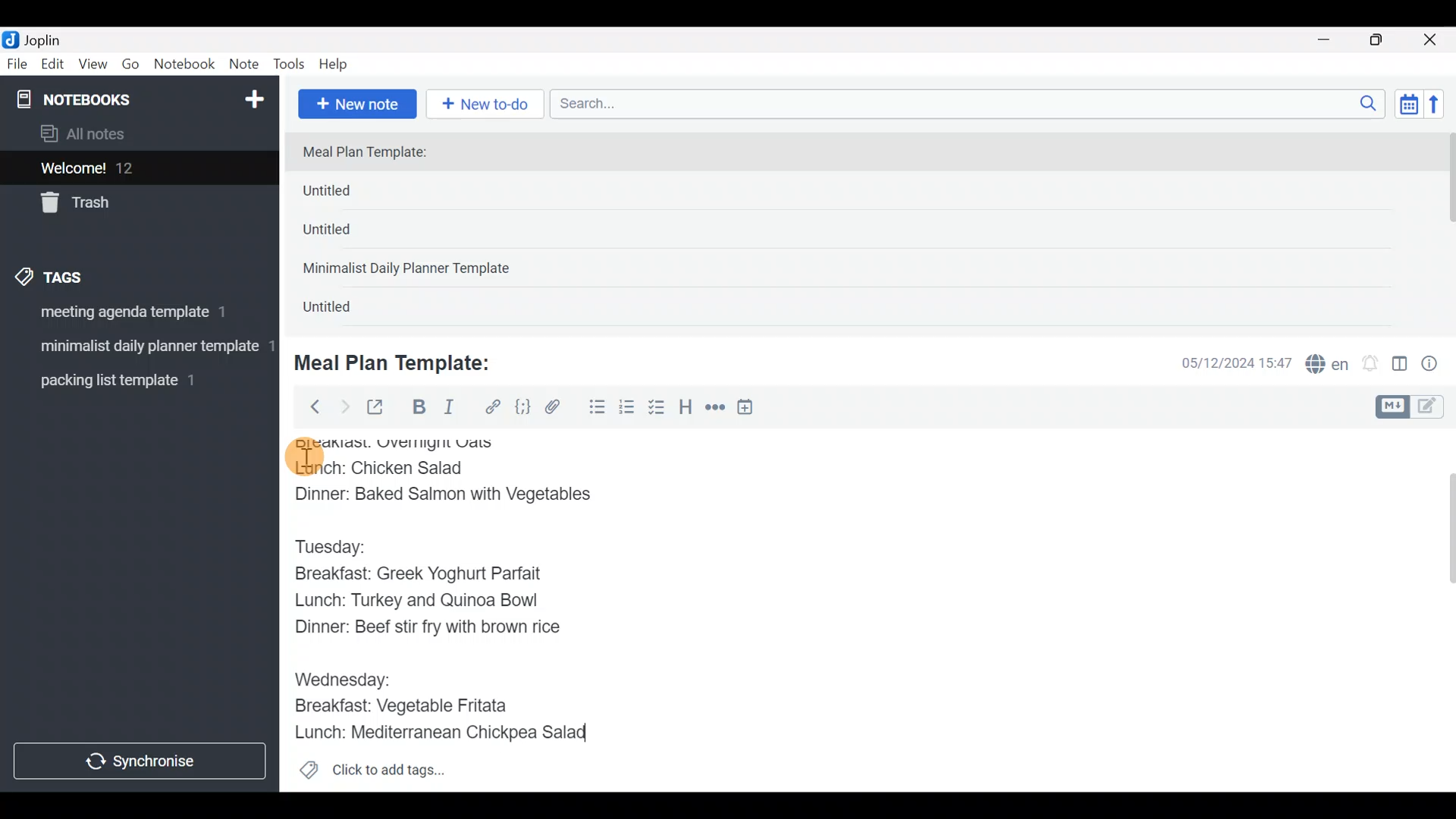 The width and height of the screenshot is (1456, 819). Describe the element at coordinates (1408, 105) in the screenshot. I see `Toggle sort order` at that location.